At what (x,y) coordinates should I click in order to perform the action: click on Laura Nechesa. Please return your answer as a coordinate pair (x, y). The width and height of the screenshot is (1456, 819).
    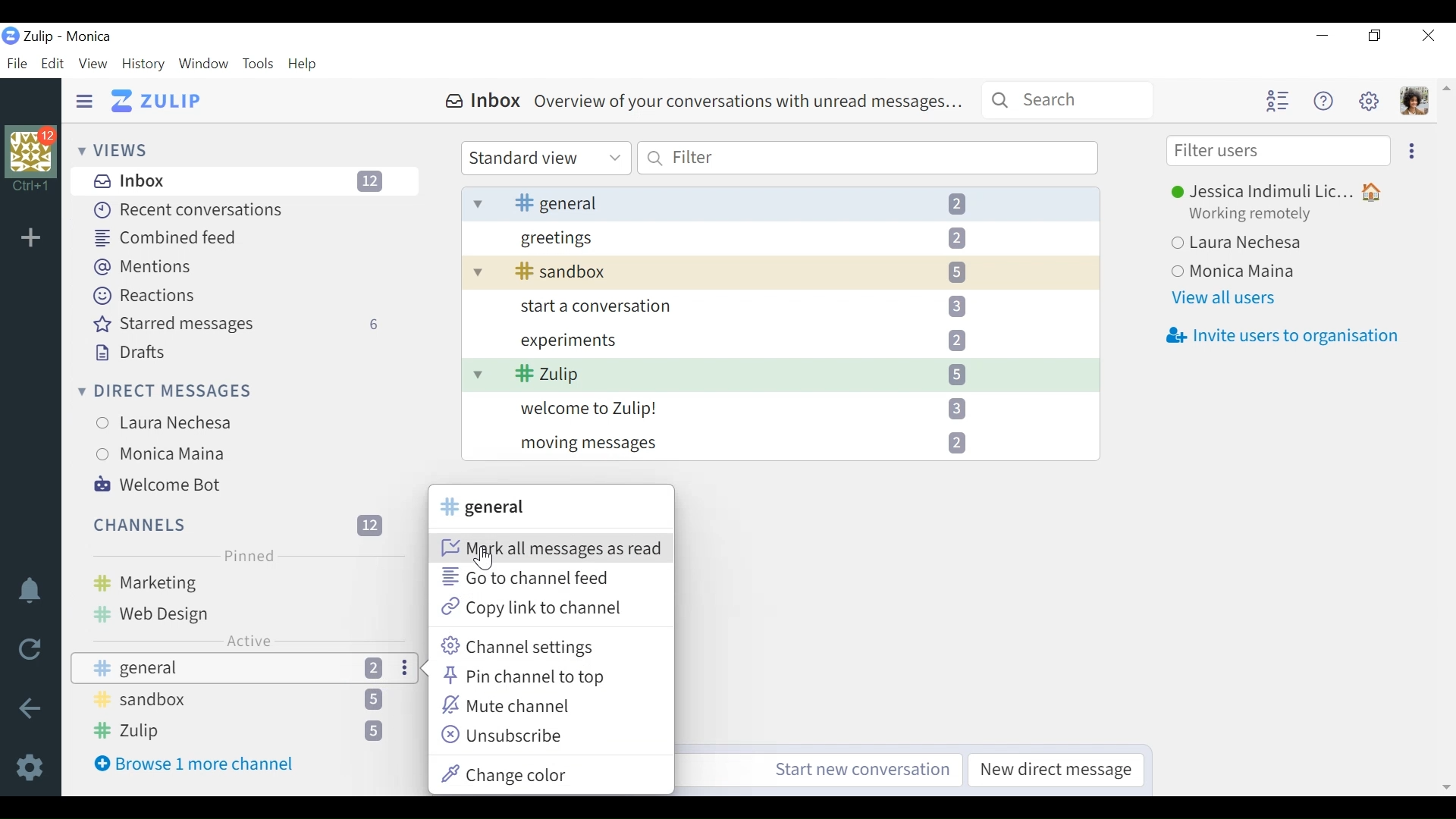
    Looking at the image, I should click on (1276, 245).